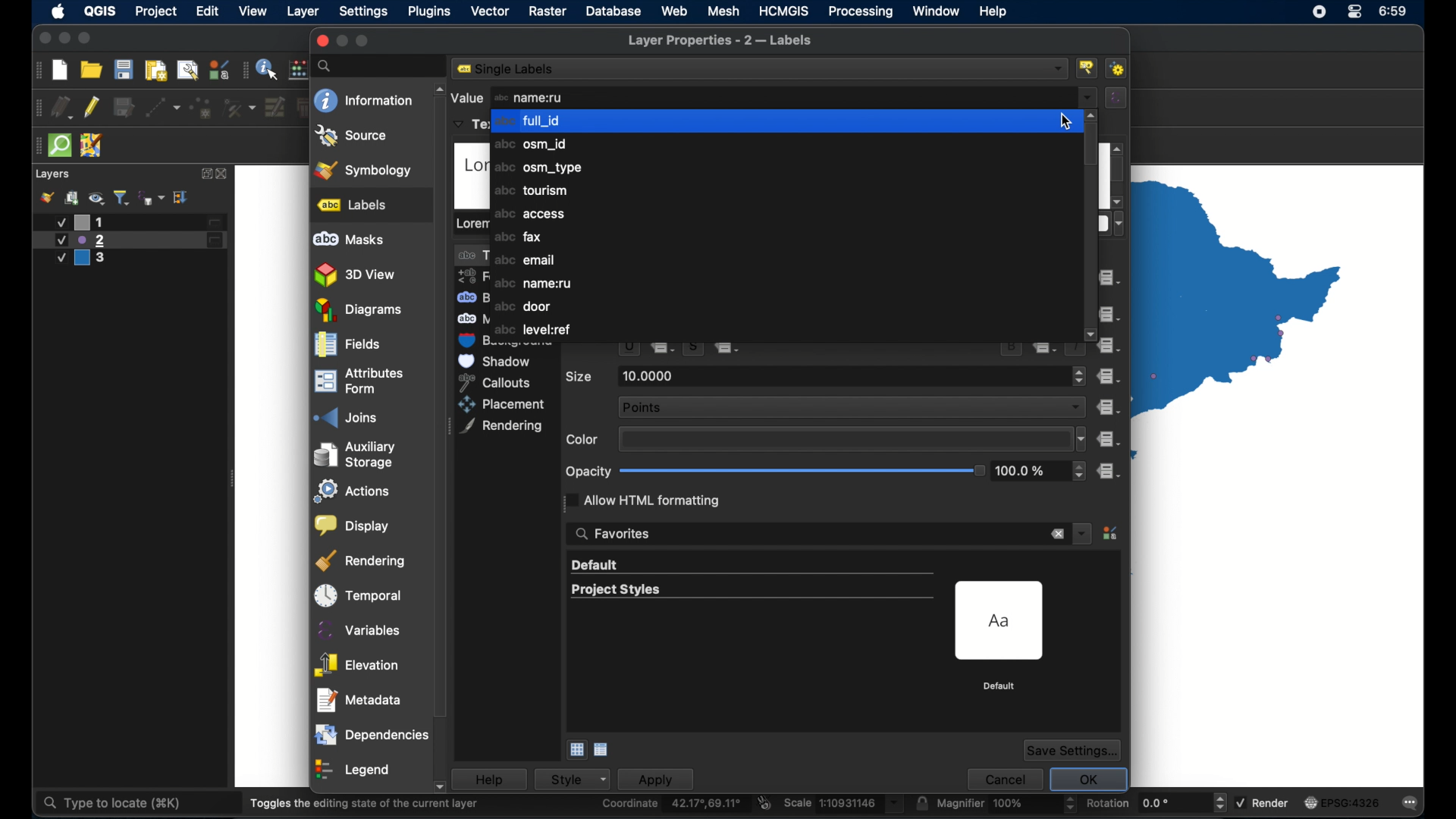 This screenshot has height=819, width=1456. Describe the element at coordinates (64, 39) in the screenshot. I see `minimize` at that location.